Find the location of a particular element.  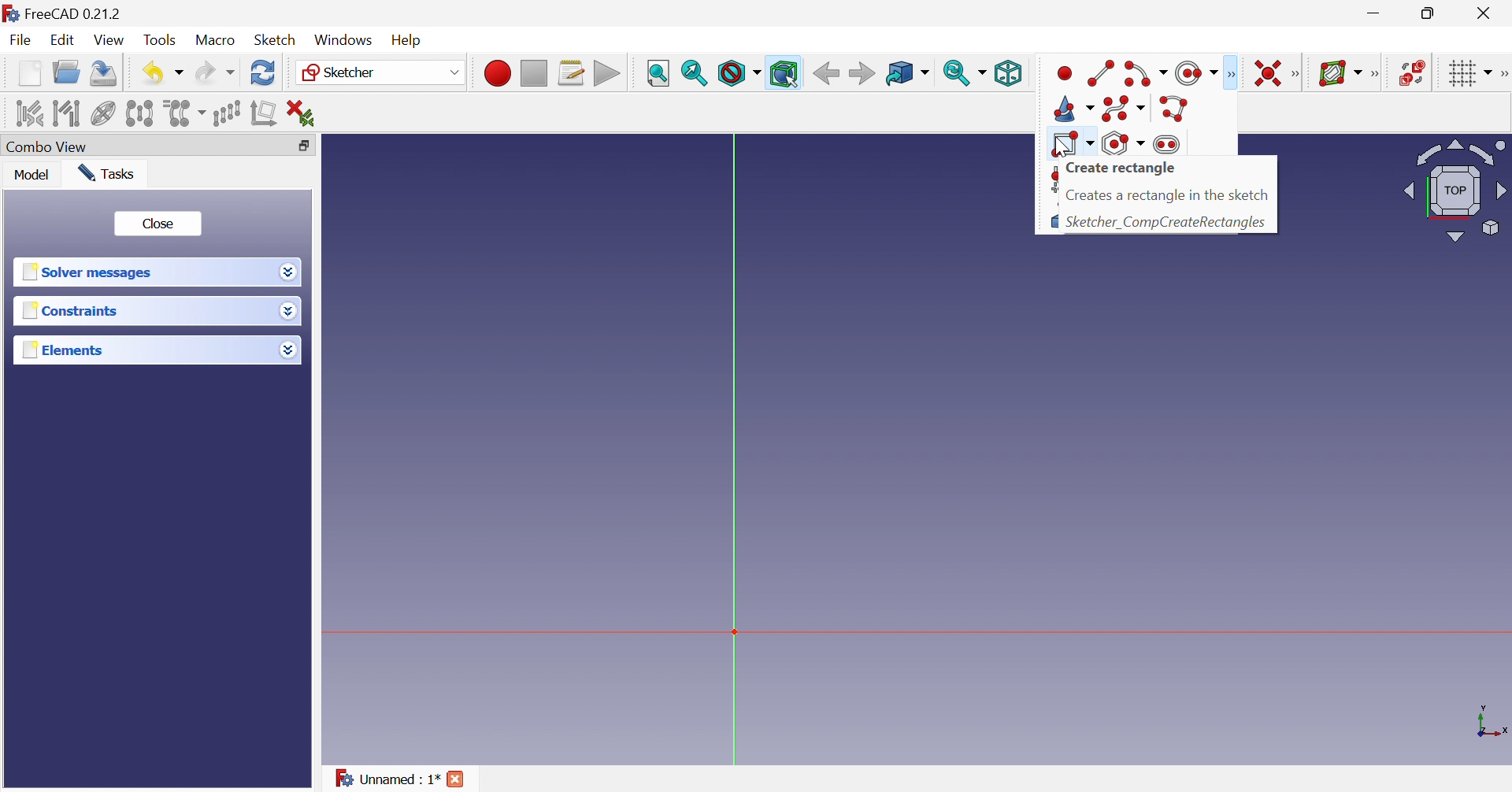

Drop down is located at coordinates (291, 273).